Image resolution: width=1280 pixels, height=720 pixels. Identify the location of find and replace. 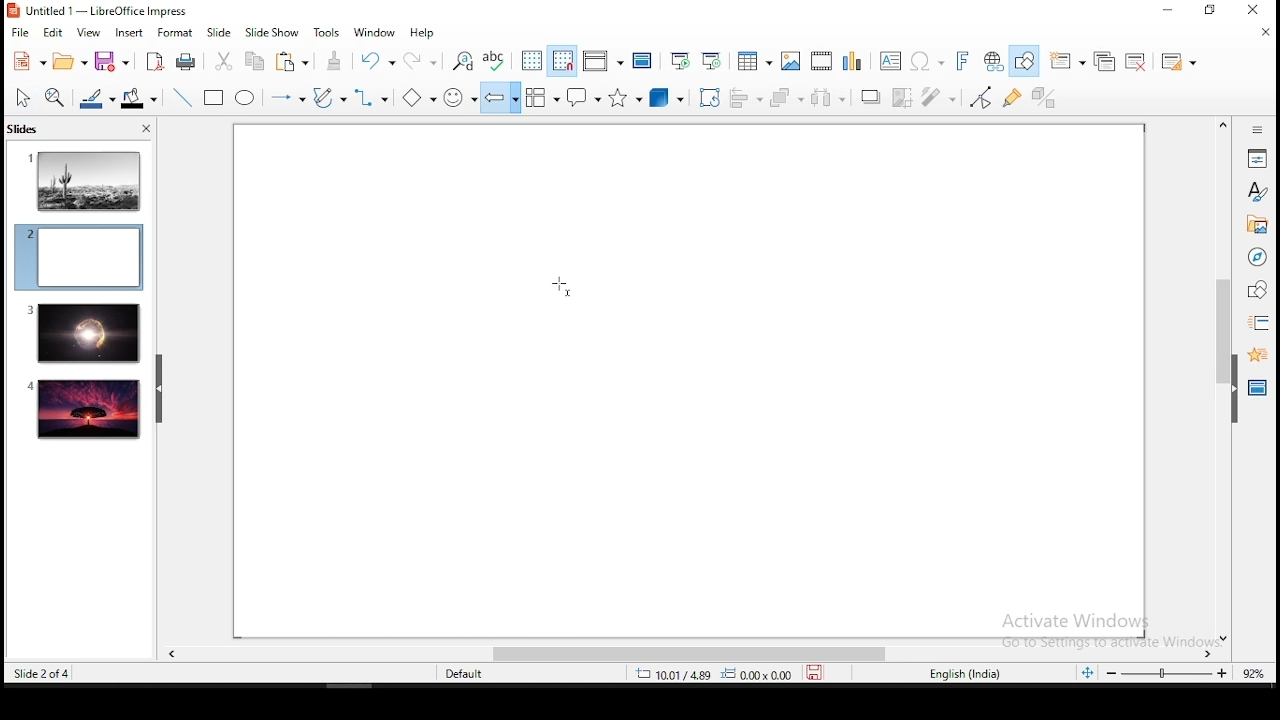
(463, 59).